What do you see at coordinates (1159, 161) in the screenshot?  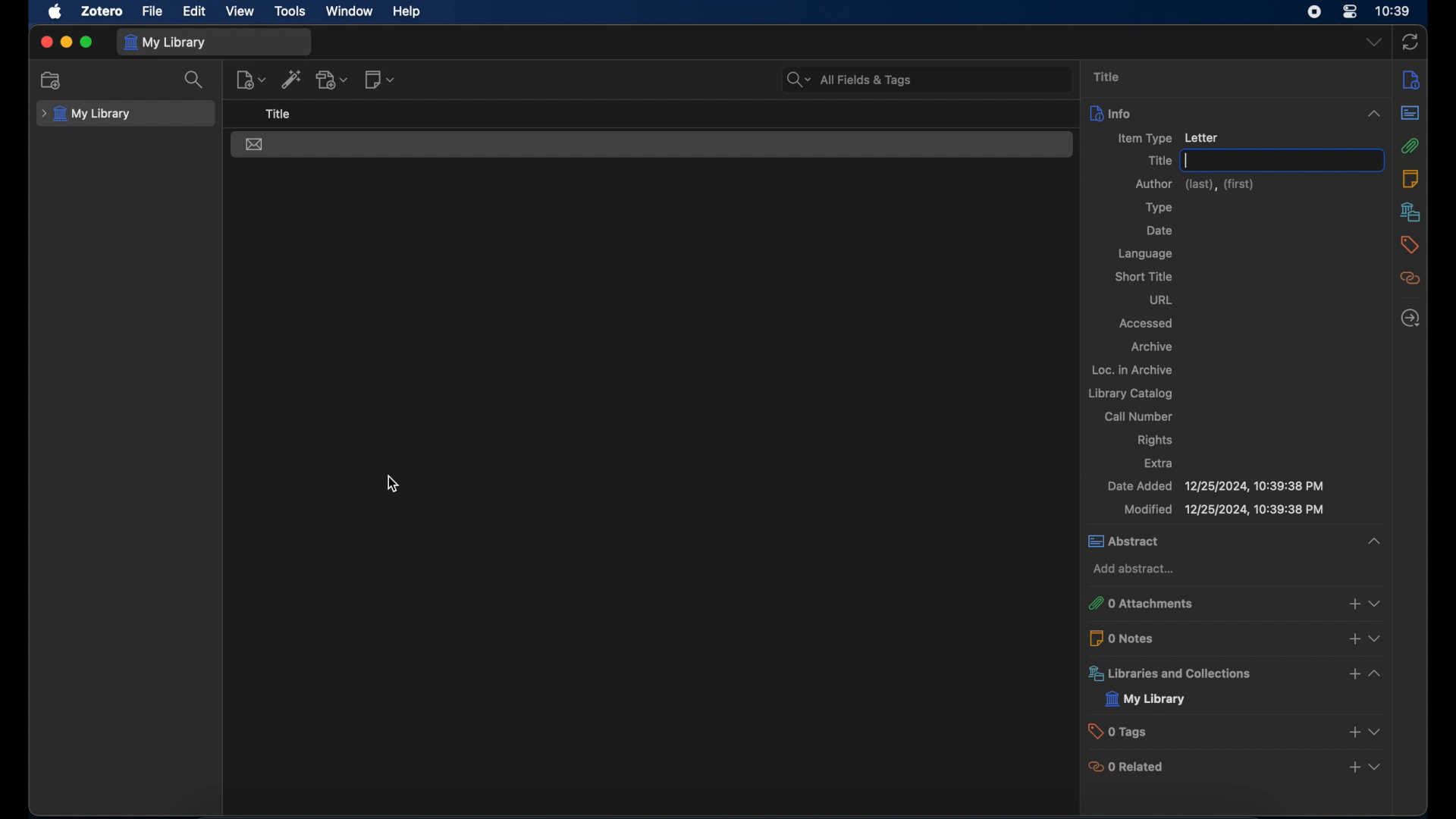 I see `title` at bounding box center [1159, 161].